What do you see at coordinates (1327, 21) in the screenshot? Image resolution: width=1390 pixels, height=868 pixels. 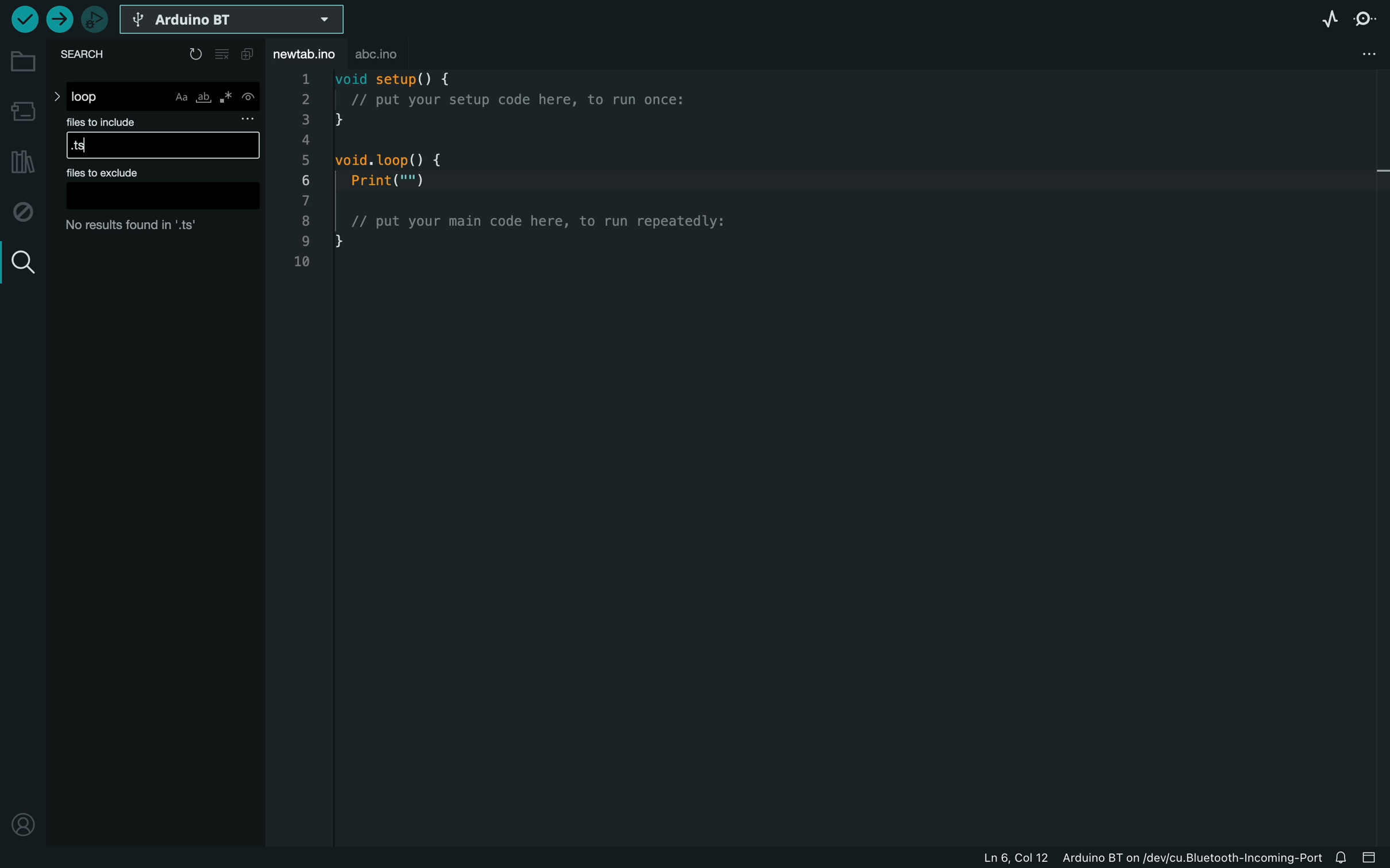 I see `serial plotter` at bounding box center [1327, 21].